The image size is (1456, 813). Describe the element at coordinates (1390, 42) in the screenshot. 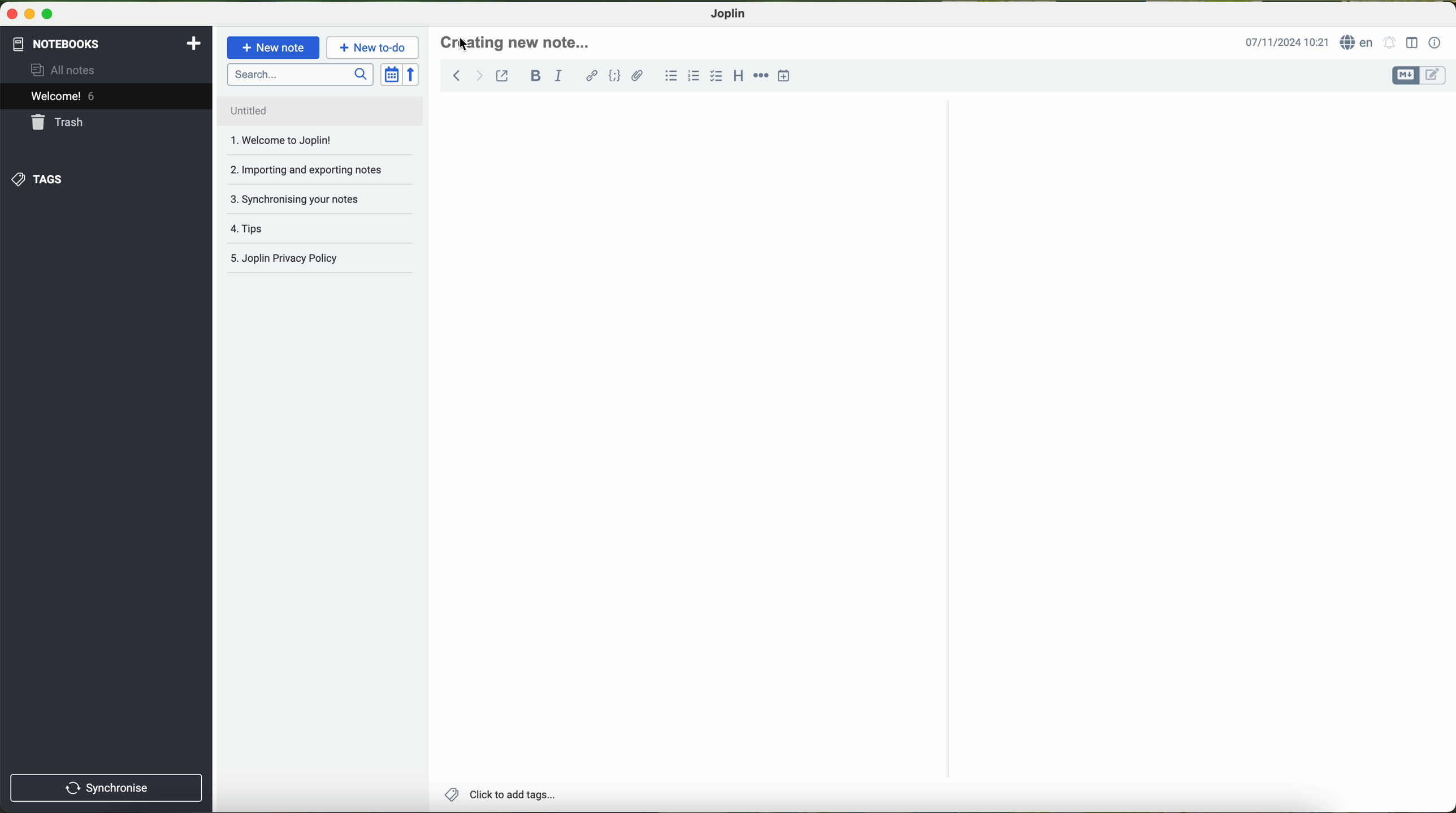

I see `set alarm` at that location.